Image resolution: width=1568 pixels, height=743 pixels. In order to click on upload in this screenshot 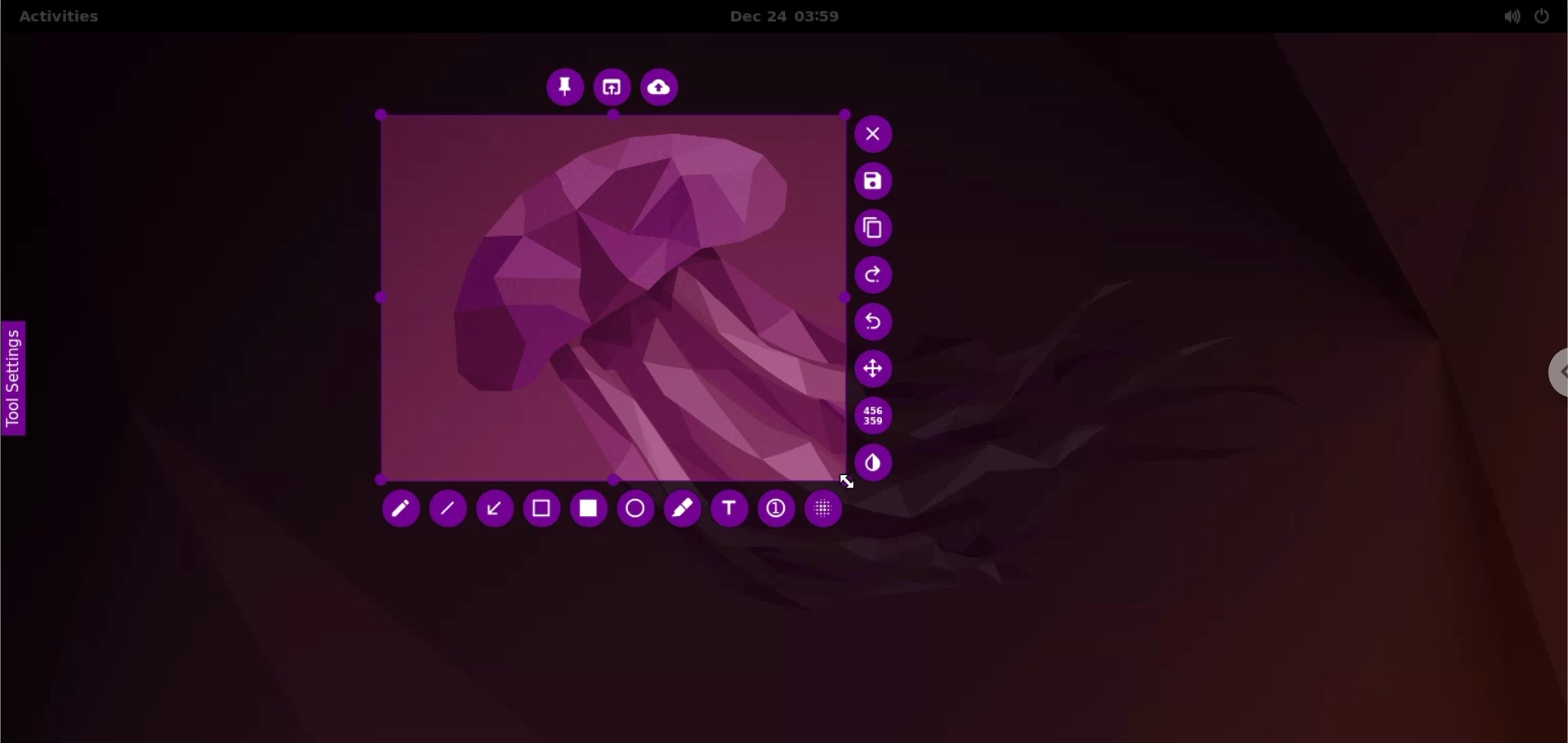, I will do `click(664, 89)`.